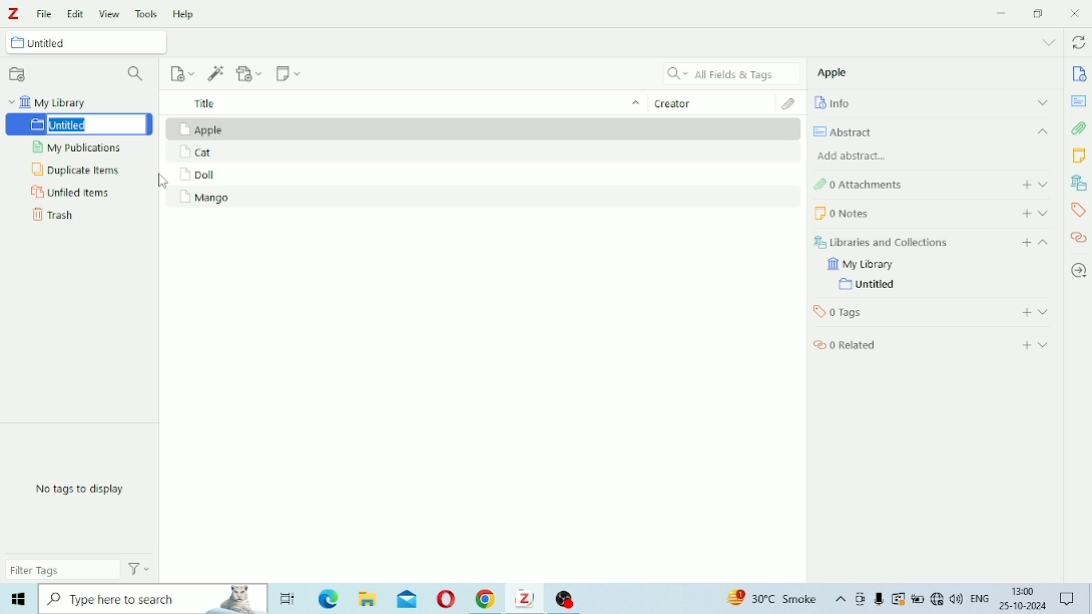  Describe the element at coordinates (878, 599) in the screenshot. I see `` at that location.